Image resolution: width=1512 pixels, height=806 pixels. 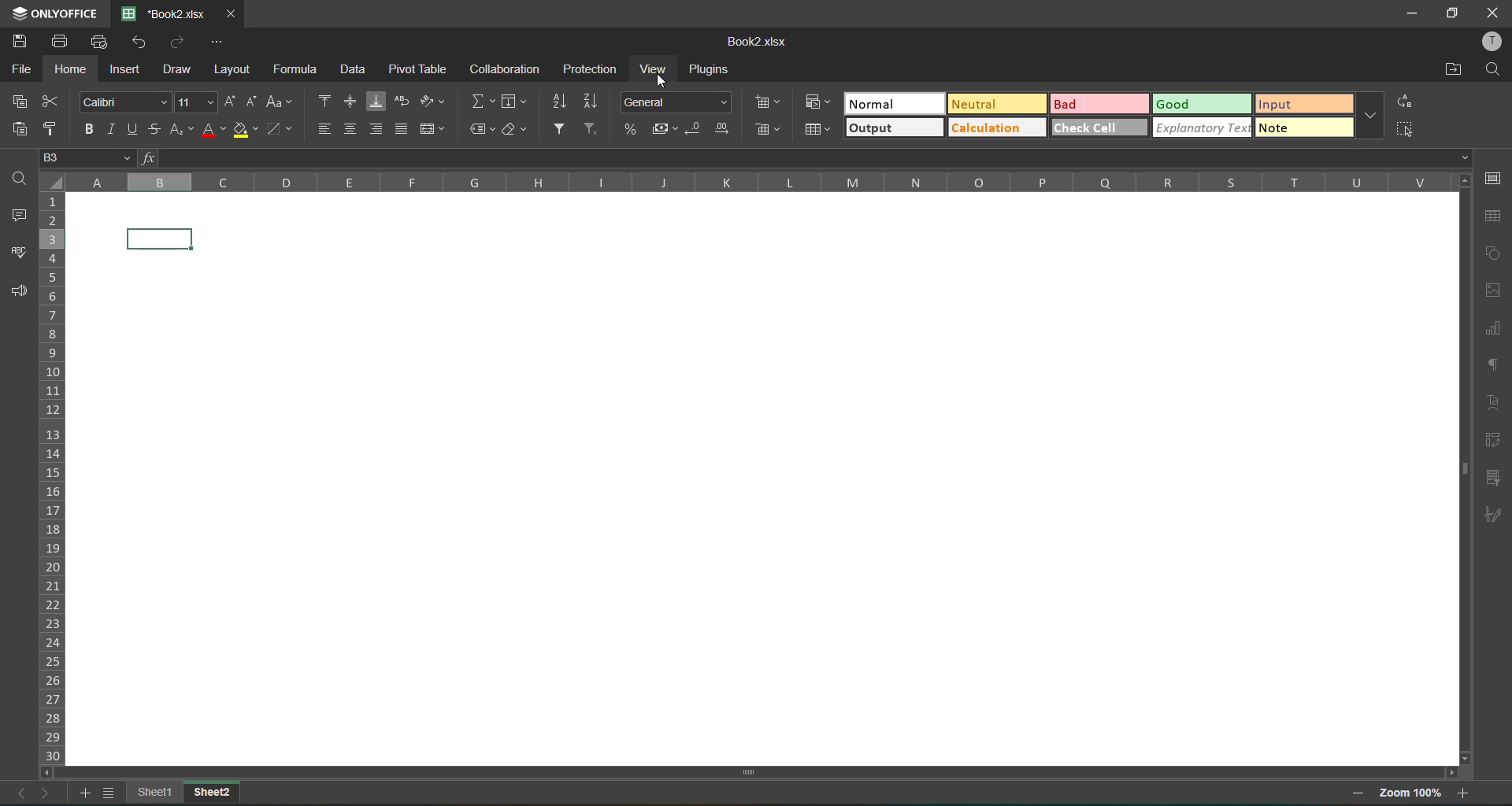 I want to click on quick print, so click(x=102, y=45).